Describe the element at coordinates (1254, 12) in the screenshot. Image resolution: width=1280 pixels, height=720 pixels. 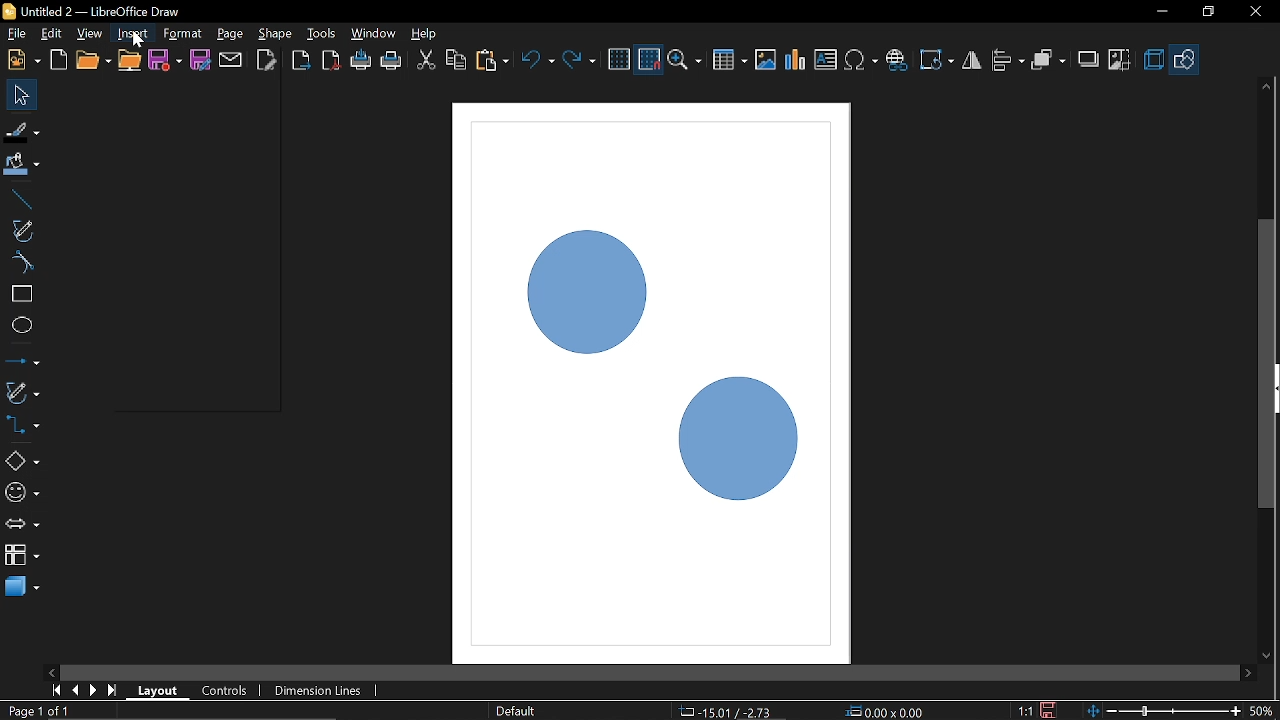
I see `CLose` at that location.